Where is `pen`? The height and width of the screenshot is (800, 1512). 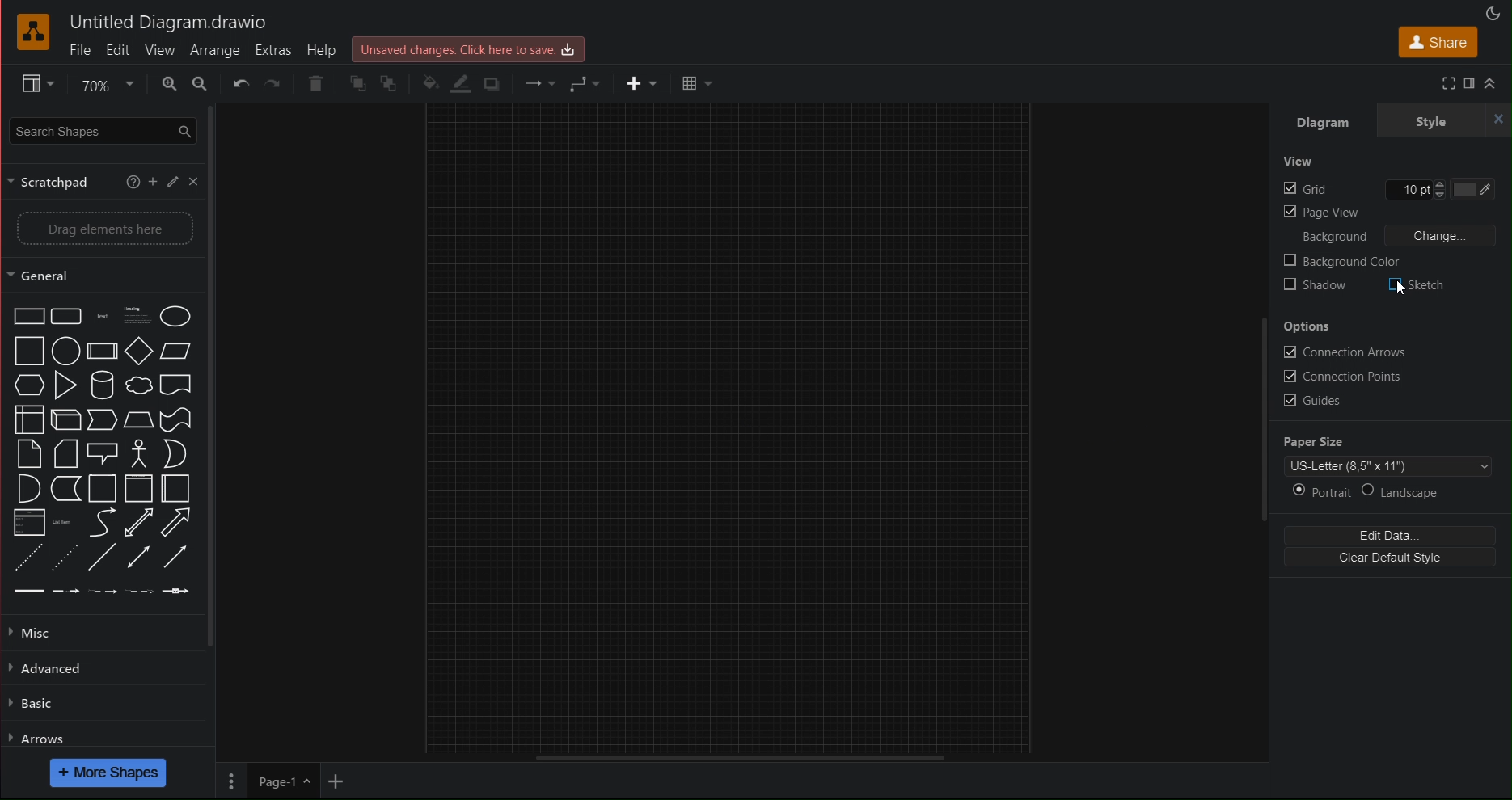
pen is located at coordinates (173, 184).